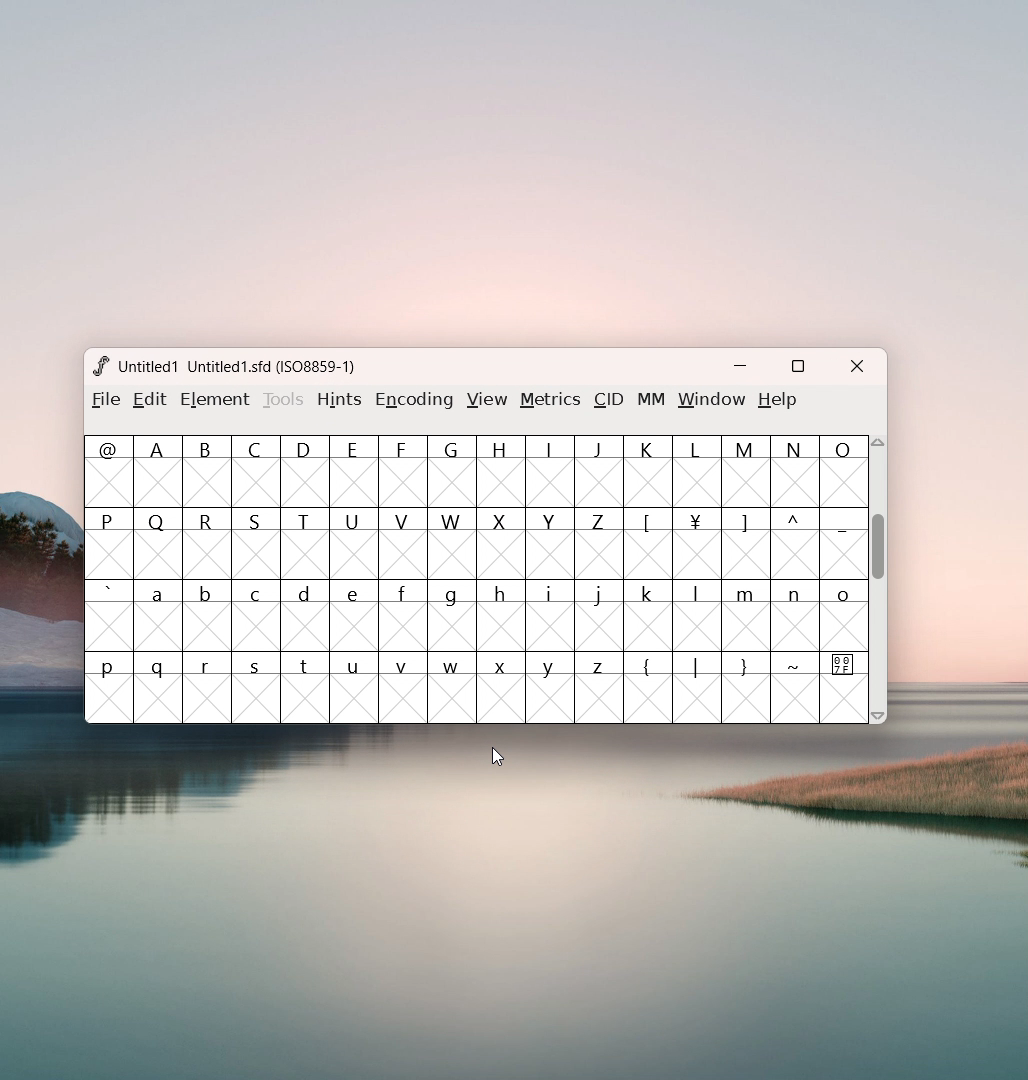 The width and height of the screenshot is (1028, 1080). What do you see at coordinates (711, 402) in the screenshot?
I see `window` at bounding box center [711, 402].